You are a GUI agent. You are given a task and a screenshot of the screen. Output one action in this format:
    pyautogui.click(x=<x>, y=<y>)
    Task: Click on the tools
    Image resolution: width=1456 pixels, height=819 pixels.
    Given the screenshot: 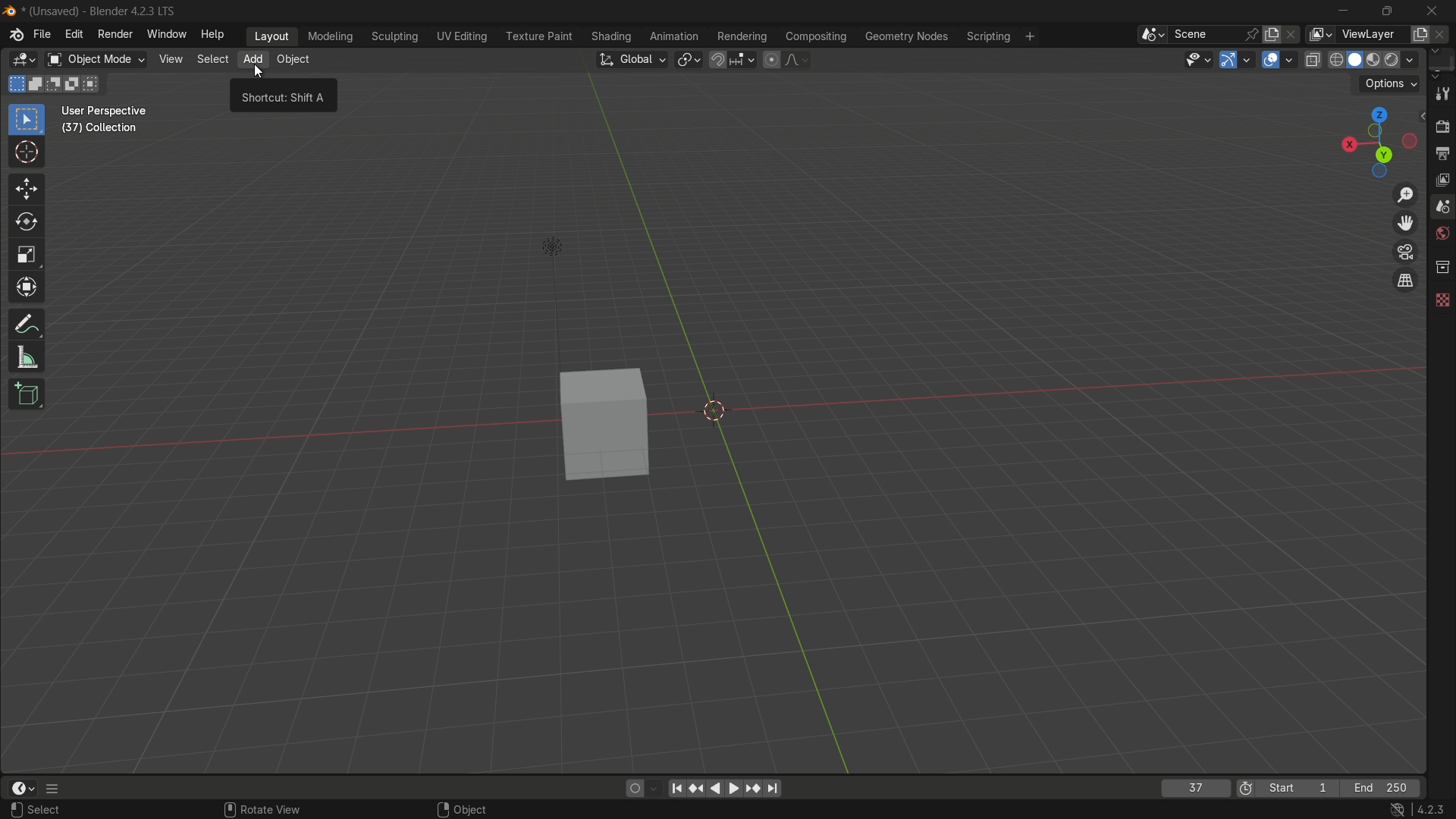 What is the action you would take?
    pyautogui.click(x=1442, y=93)
    